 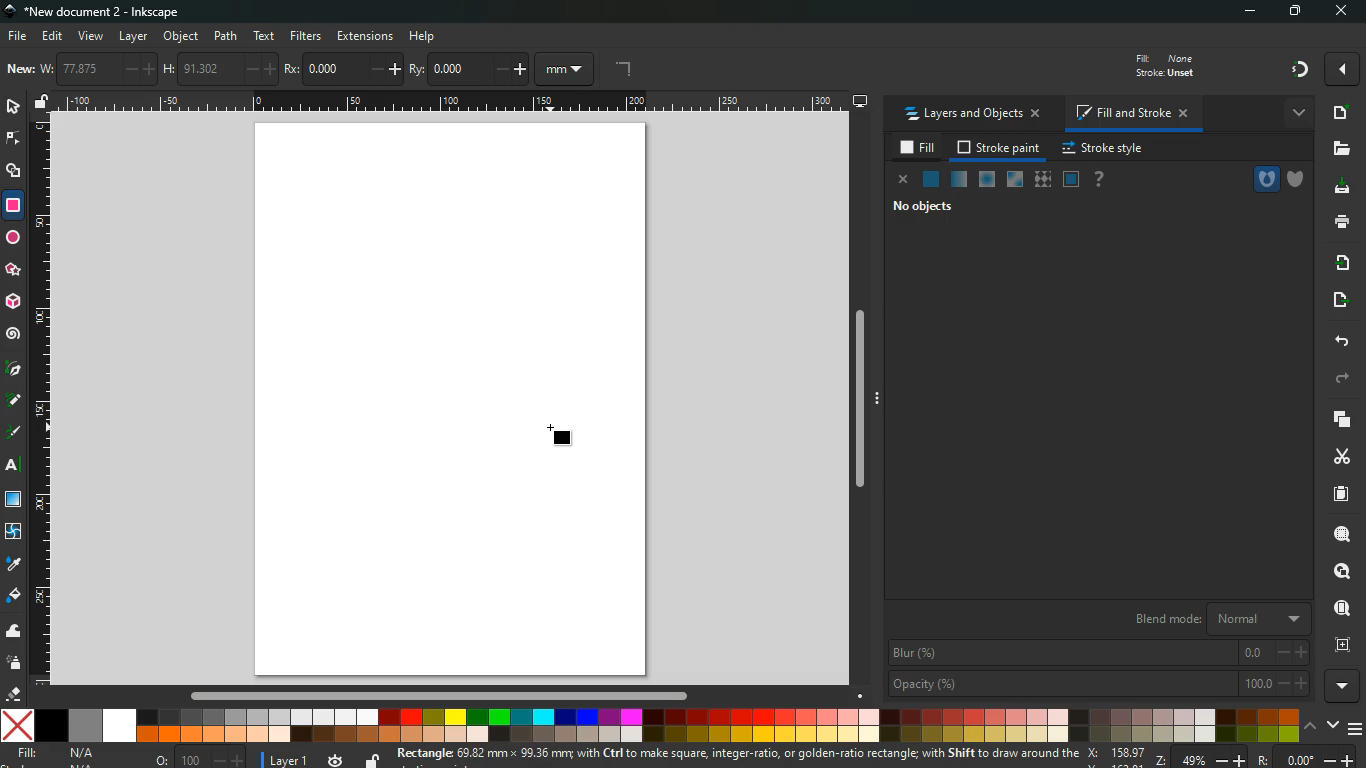 What do you see at coordinates (195, 758) in the screenshot?
I see `o` at bounding box center [195, 758].